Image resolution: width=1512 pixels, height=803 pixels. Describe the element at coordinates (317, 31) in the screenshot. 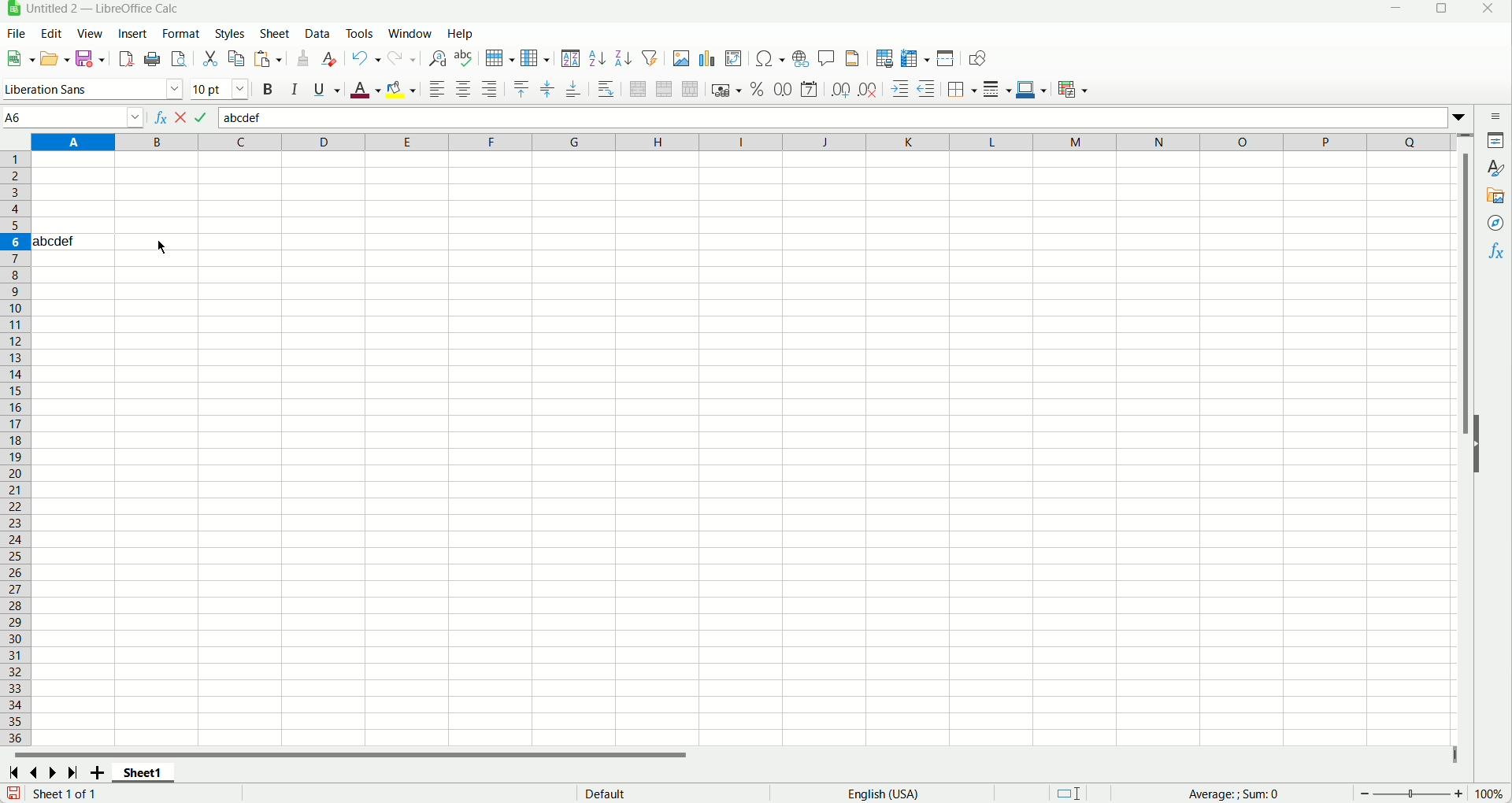

I see `data` at that location.